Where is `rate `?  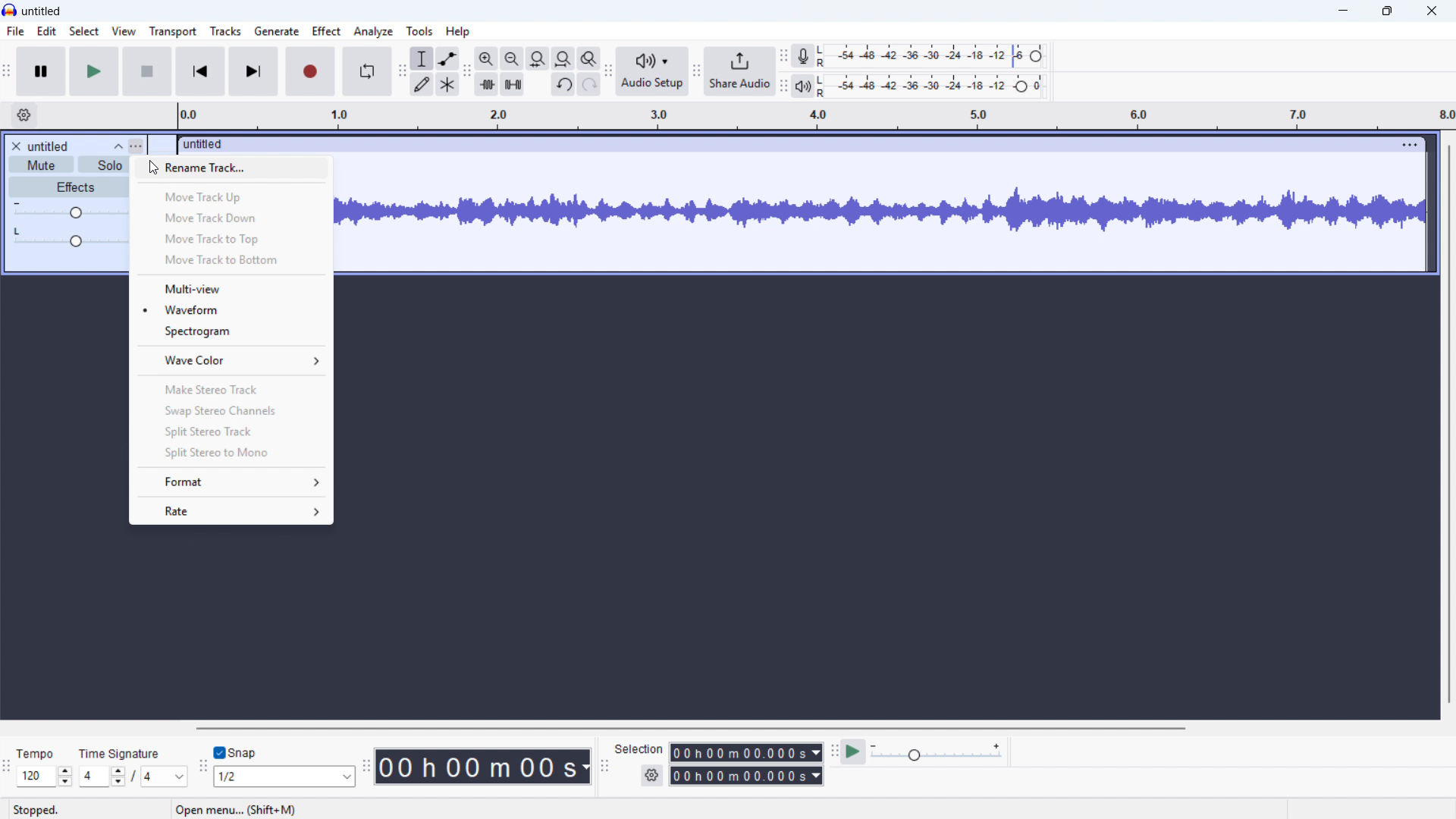
rate  is located at coordinates (230, 510).